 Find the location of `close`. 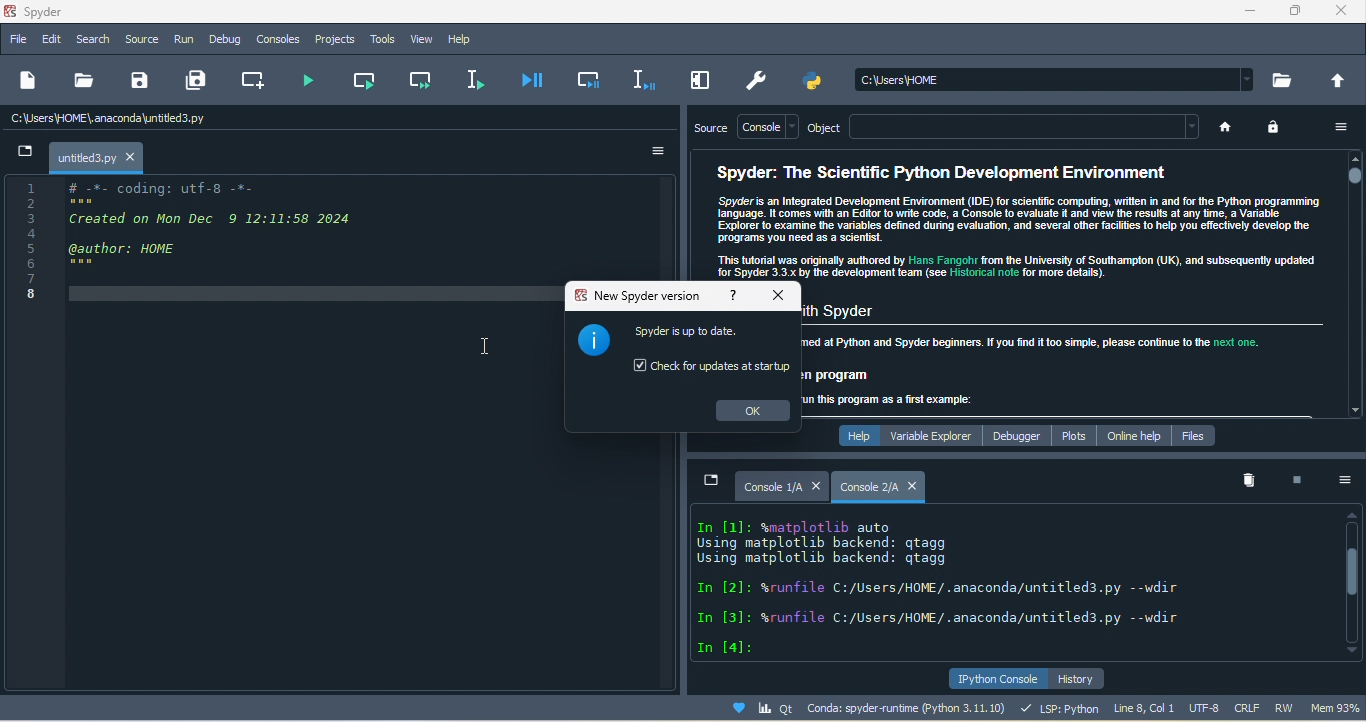

close is located at coordinates (1345, 14).